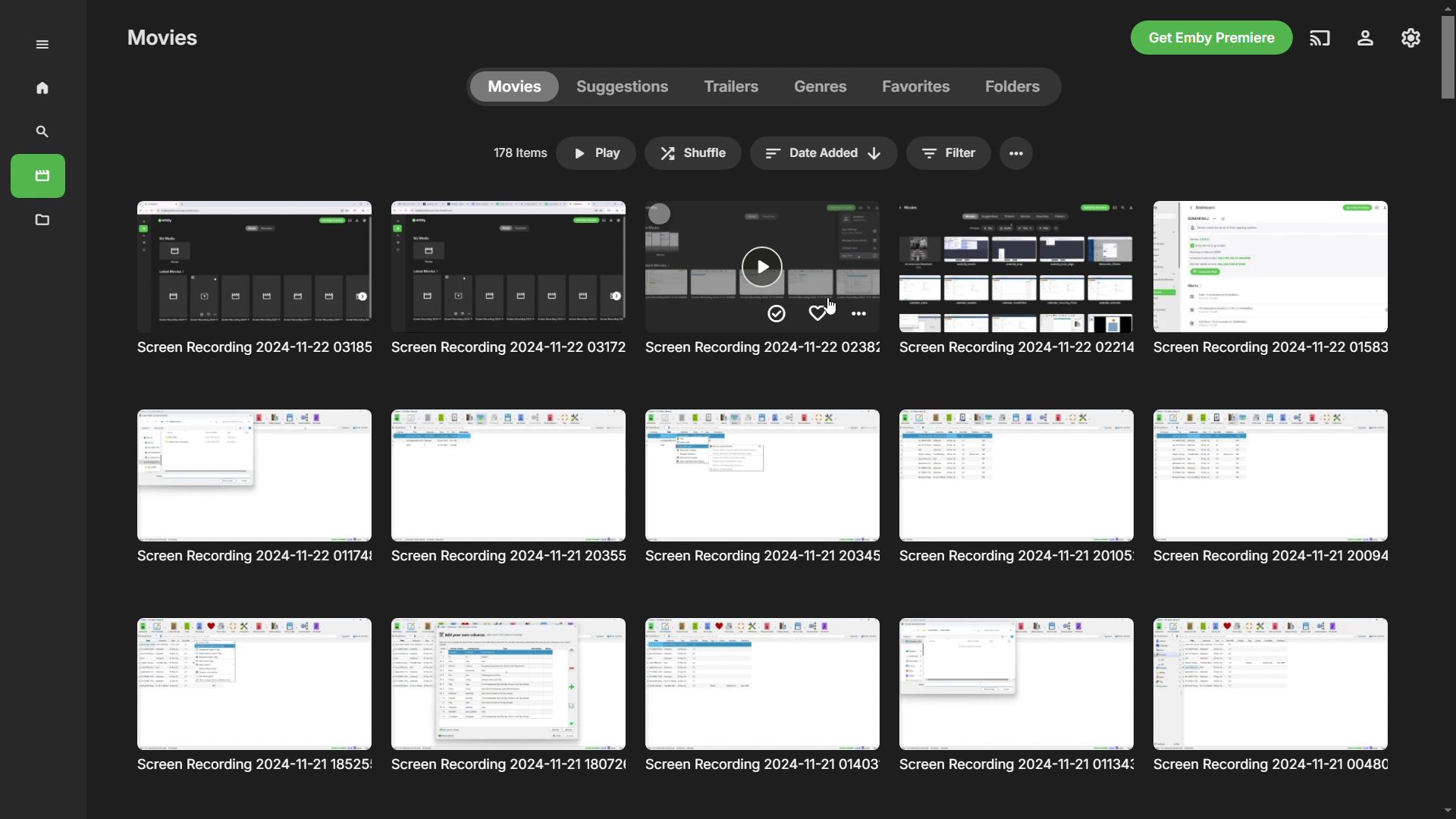 This screenshot has height=819, width=1456. I want to click on , so click(508, 488).